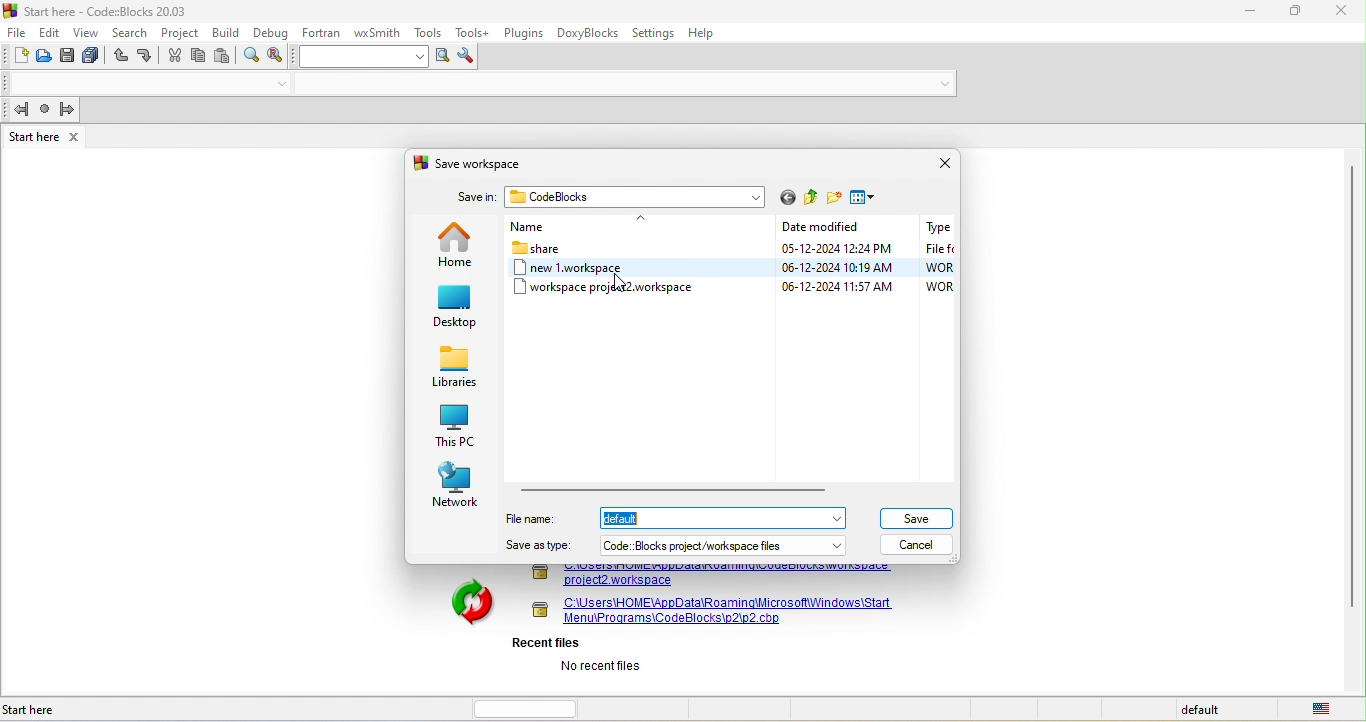  I want to click on file, so click(17, 31).